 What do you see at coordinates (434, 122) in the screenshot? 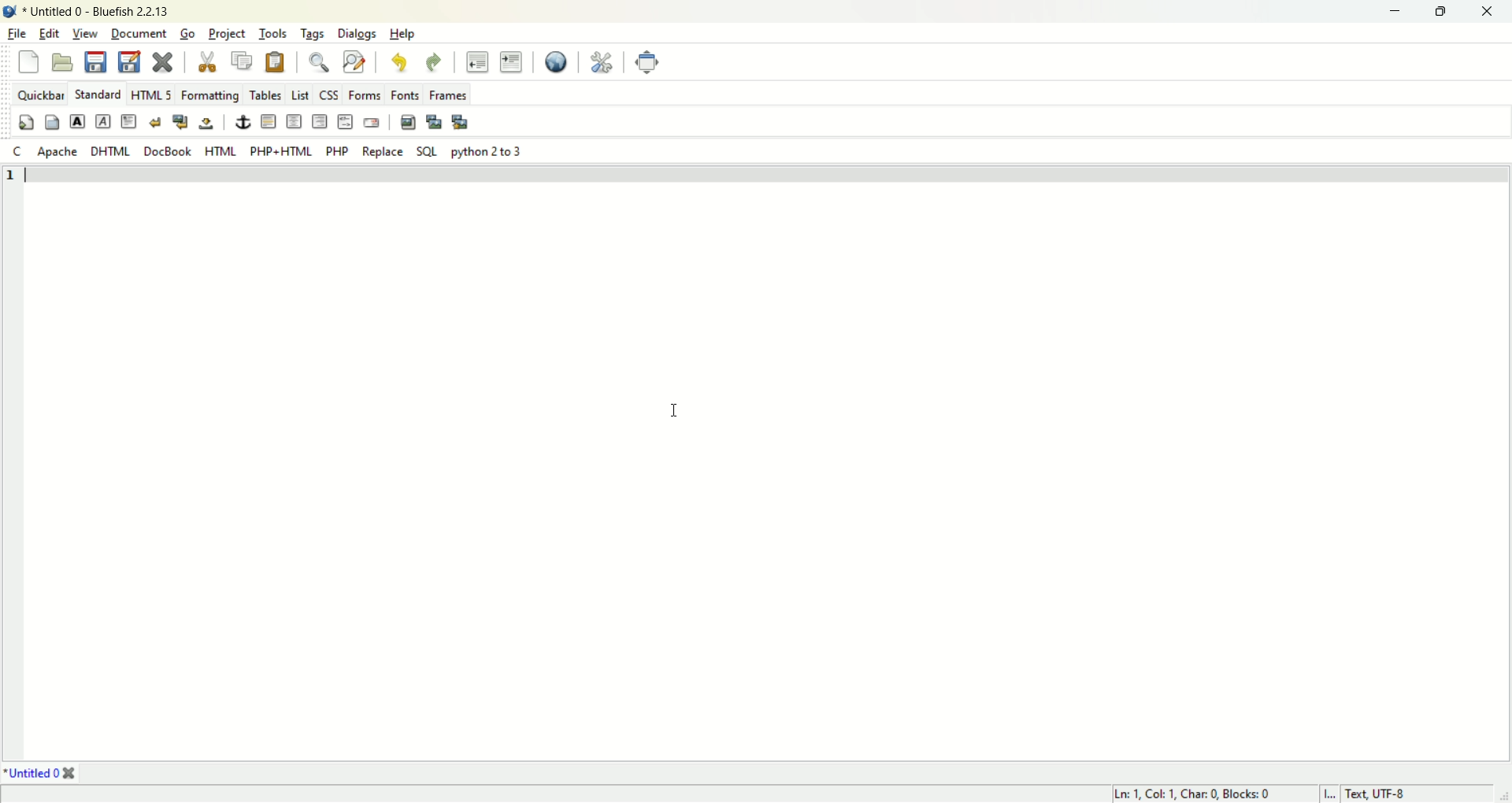
I see `input thumbnail` at bounding box center [434, 122].